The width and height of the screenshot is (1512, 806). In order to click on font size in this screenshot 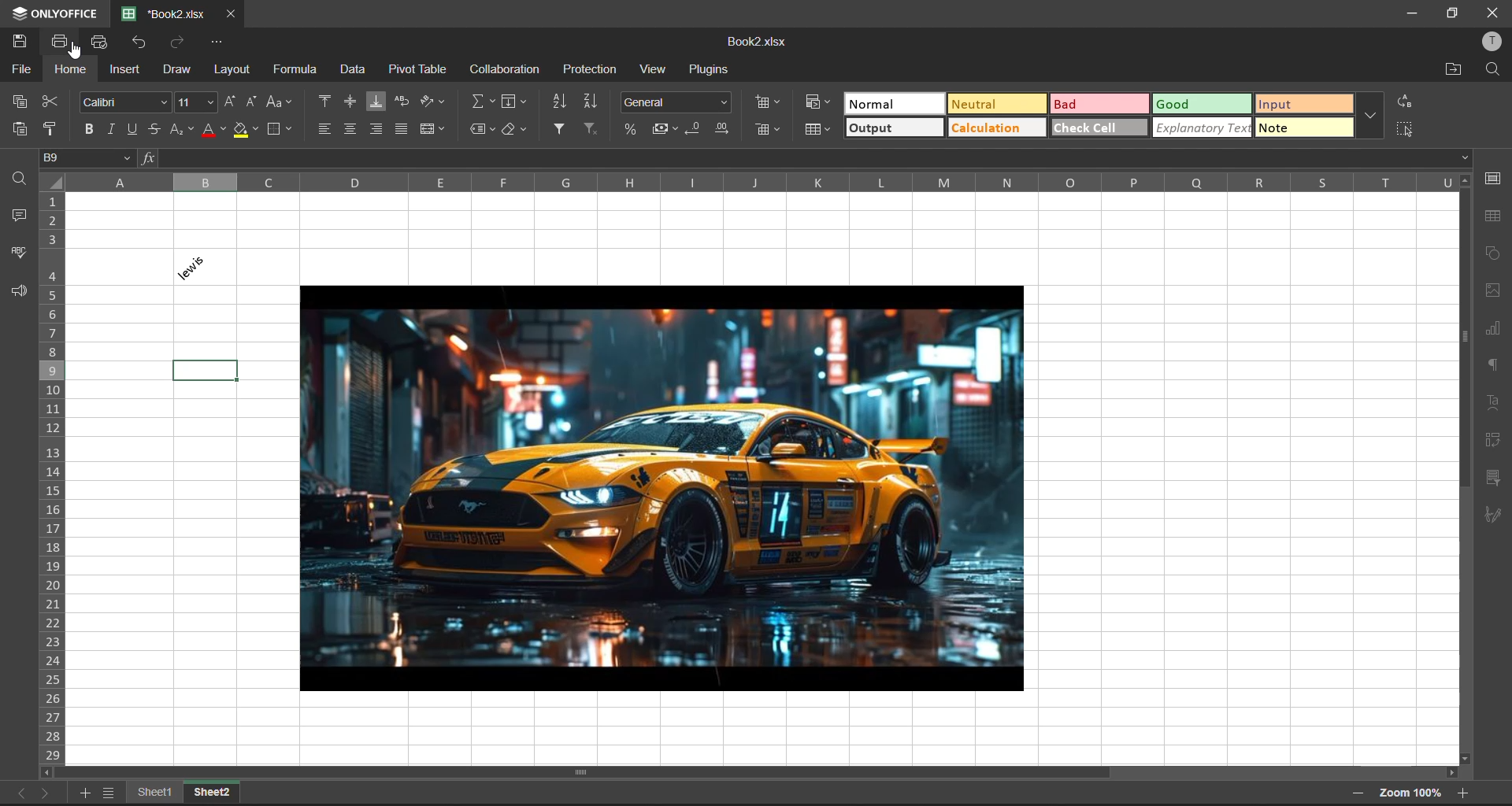, I will do `click(197, 103)`.